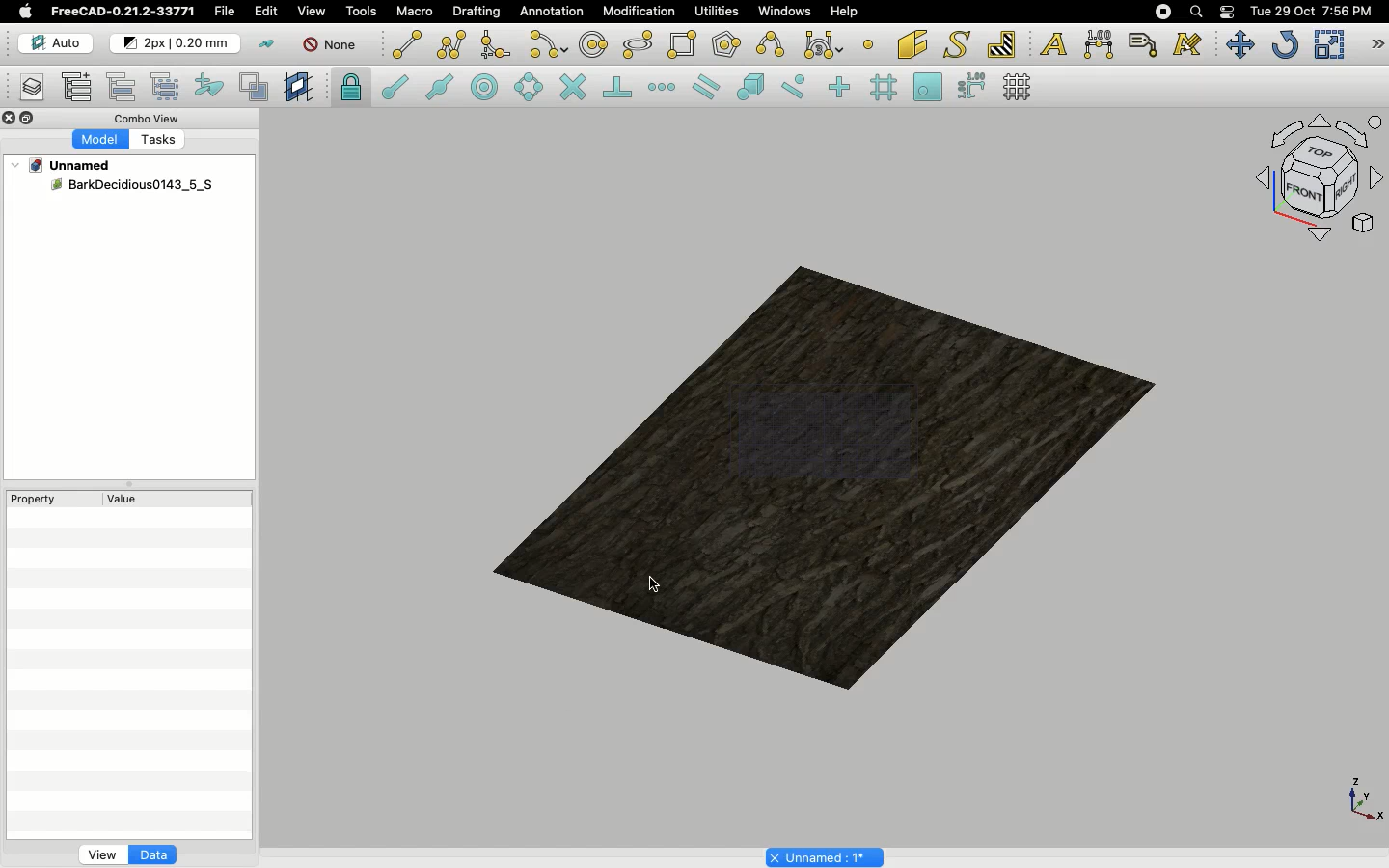 The height and width of the screenshot is (868, 1389). What do you see at coordinates (836, 476) in the screenshot?
I see `Object` at bounding box center [836, 476].